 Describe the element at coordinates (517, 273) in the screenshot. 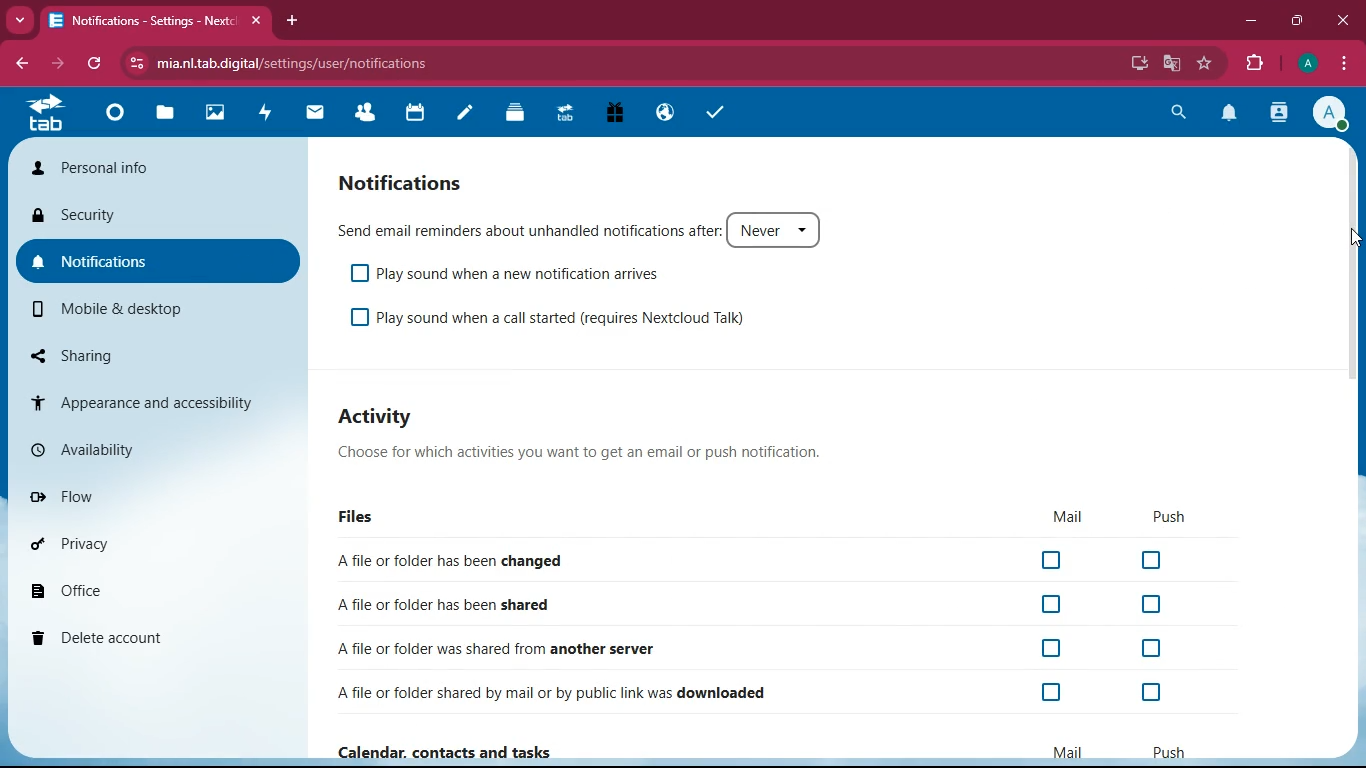

I see `play sound when a new notification arrives` at that location.